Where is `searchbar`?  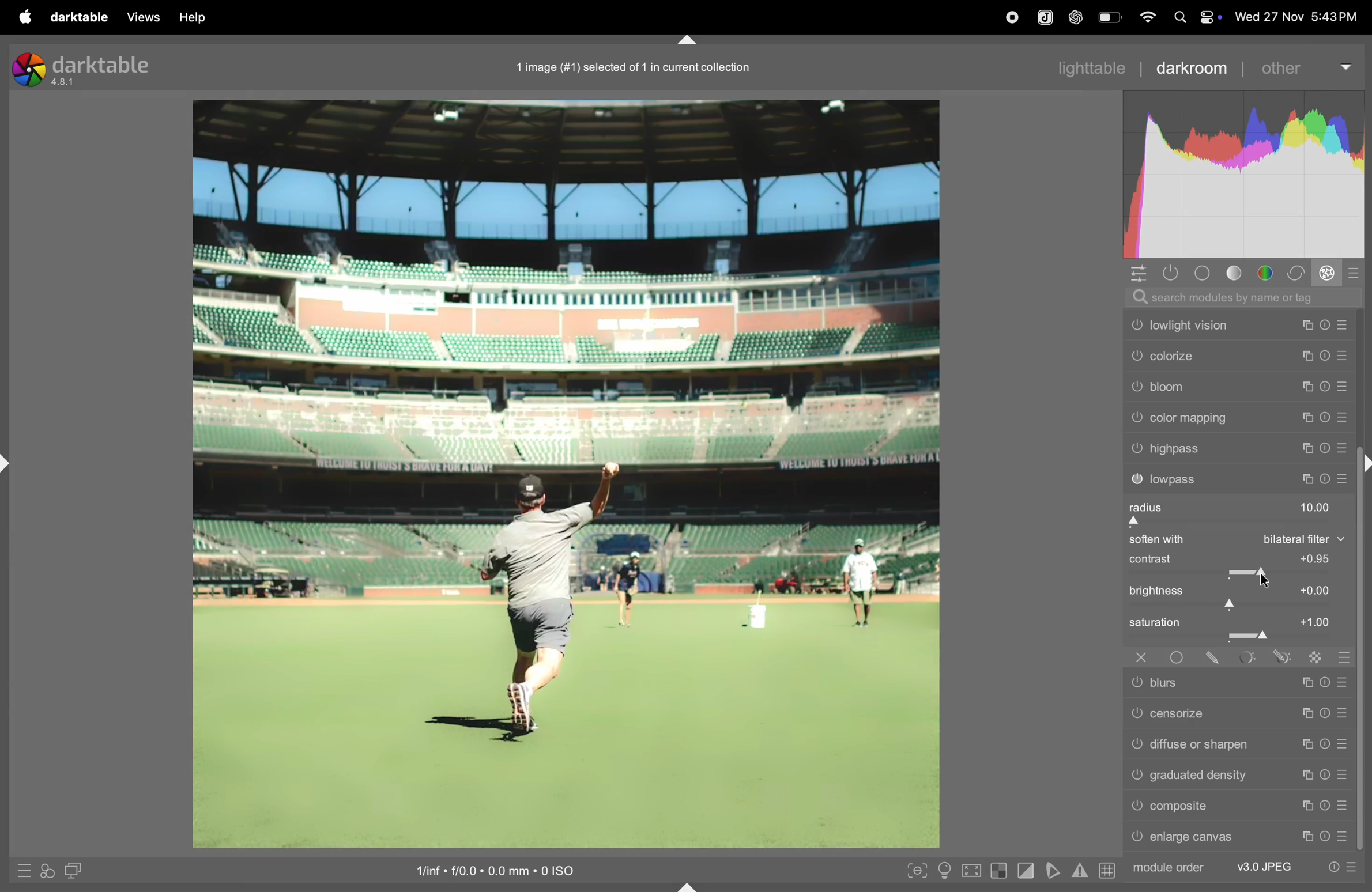
searchbar is located at coordinates (1242, 296).